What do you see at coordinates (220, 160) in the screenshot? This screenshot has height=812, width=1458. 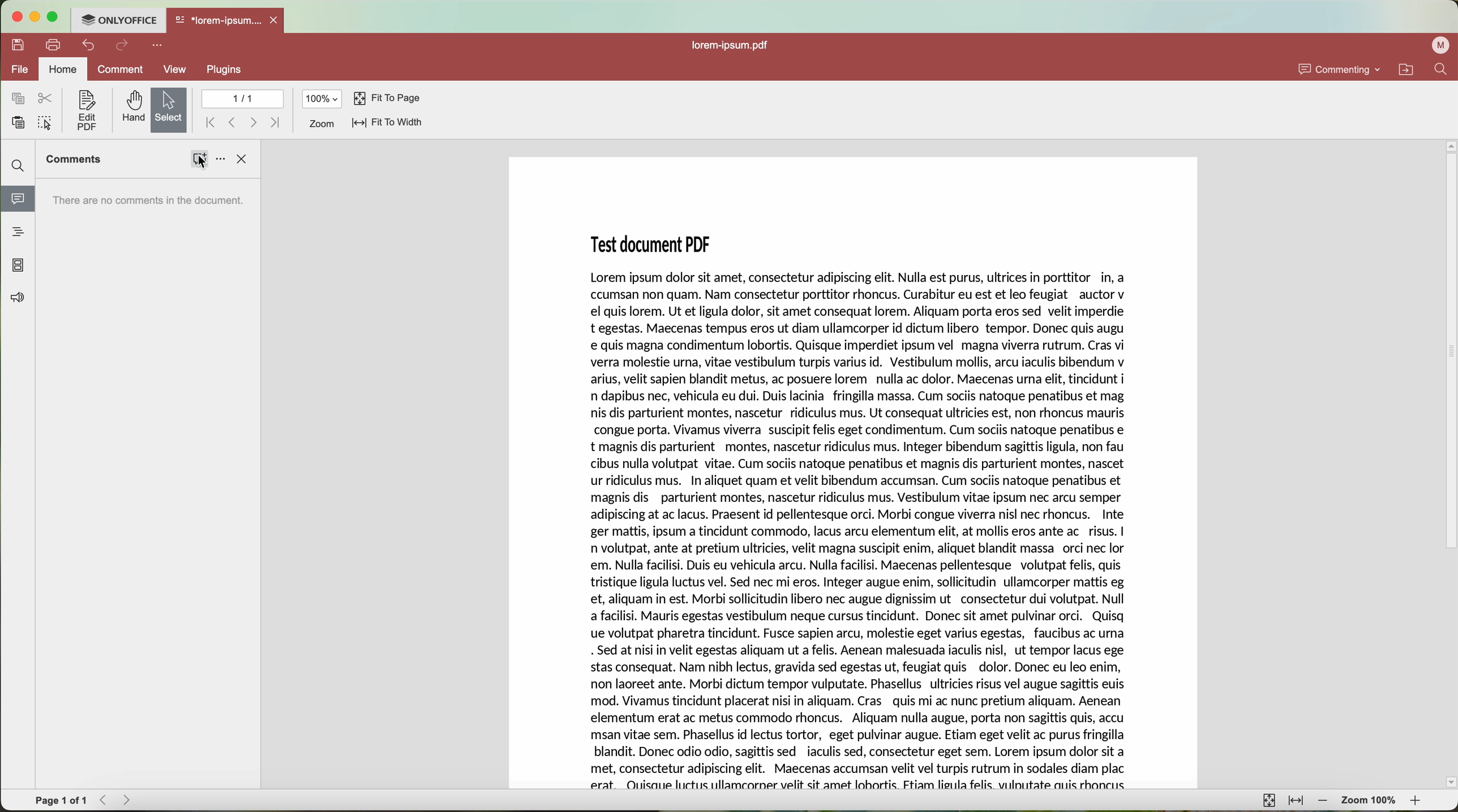 I see `options` at bounding box center [220, 160].